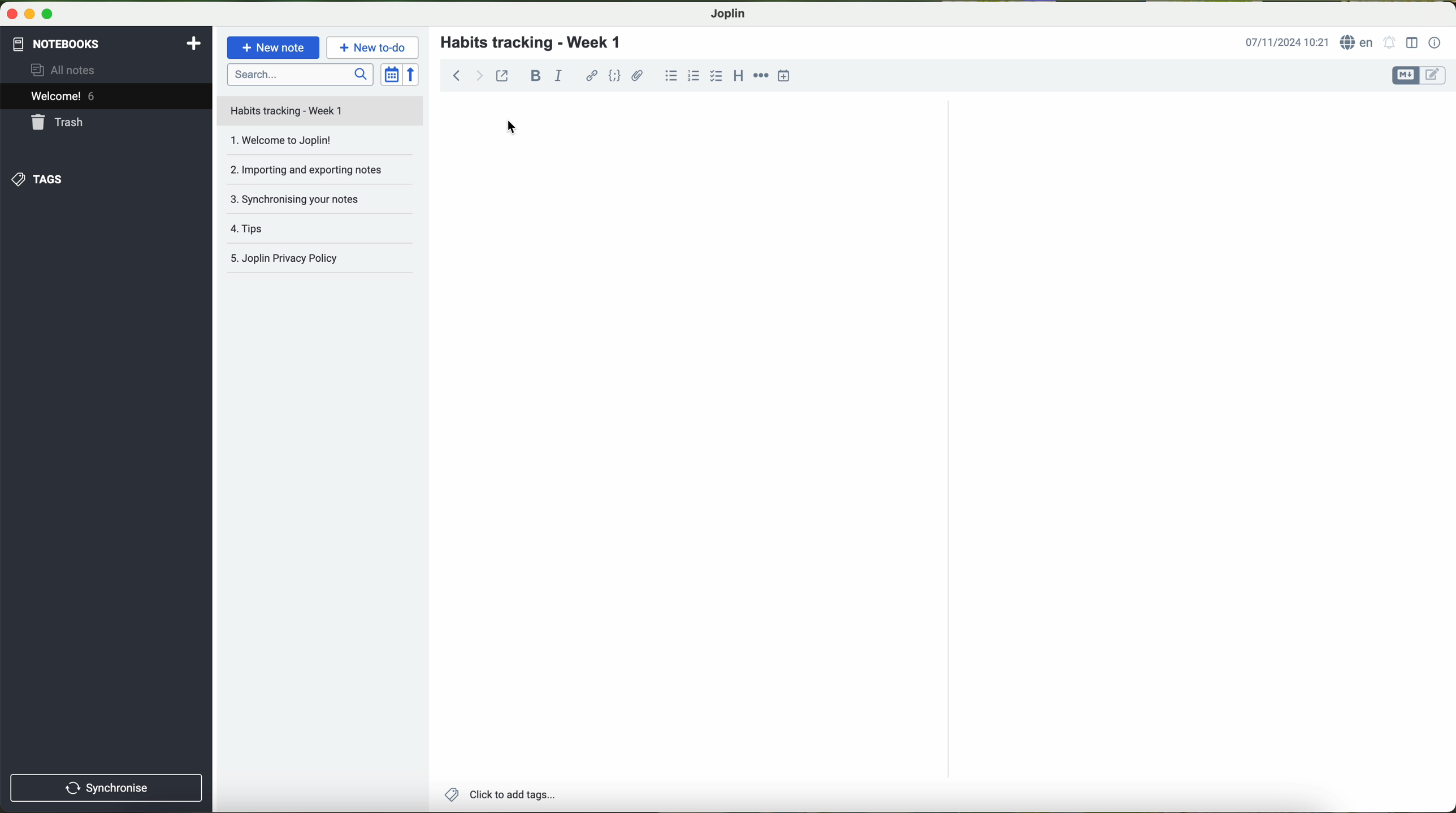 This screenshot has height=813, width=1456. I want to click on back, so click(453, 74).